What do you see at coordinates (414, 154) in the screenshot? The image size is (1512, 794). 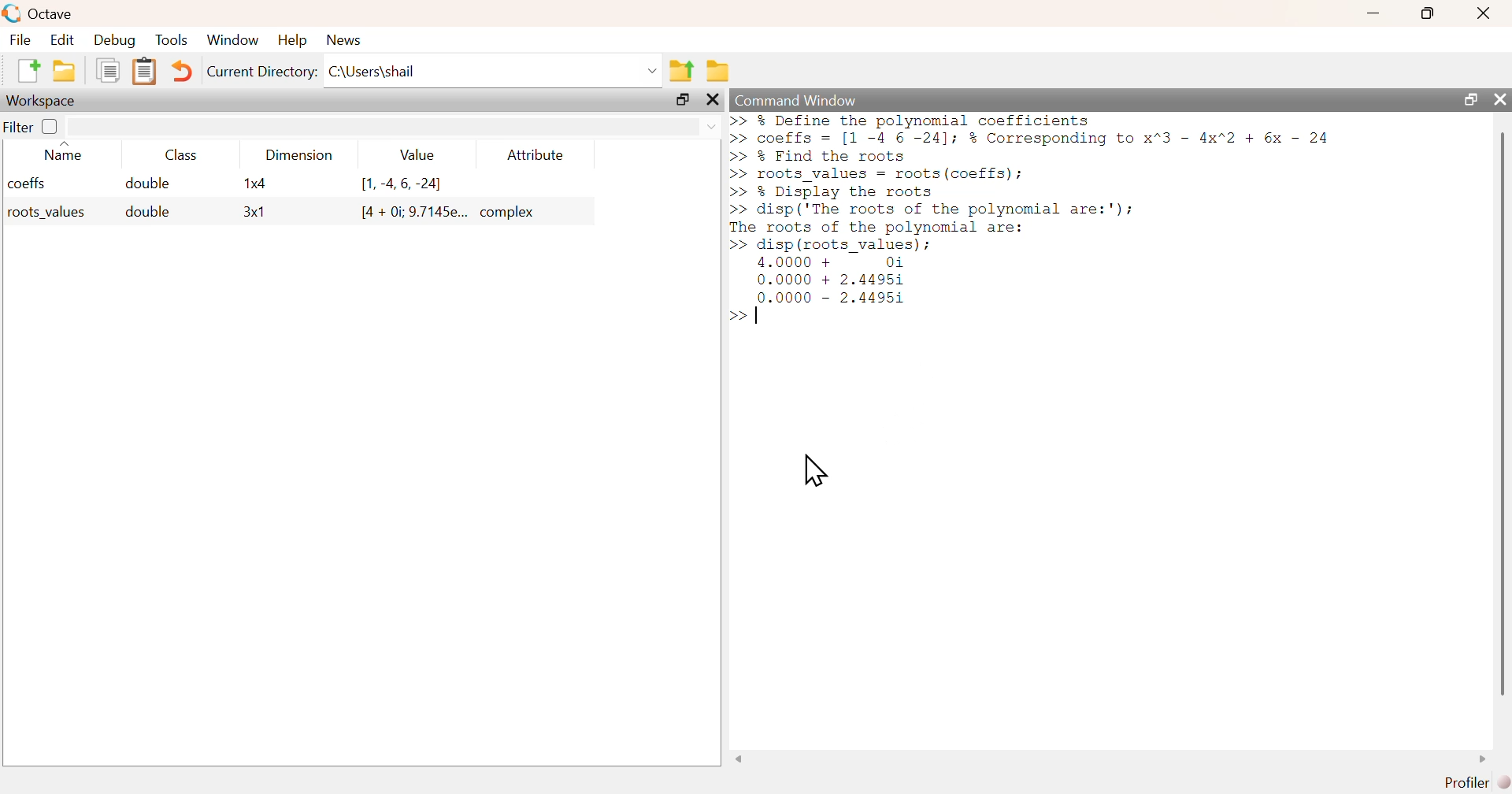 I see `Value` at bounding box center [414, 154].